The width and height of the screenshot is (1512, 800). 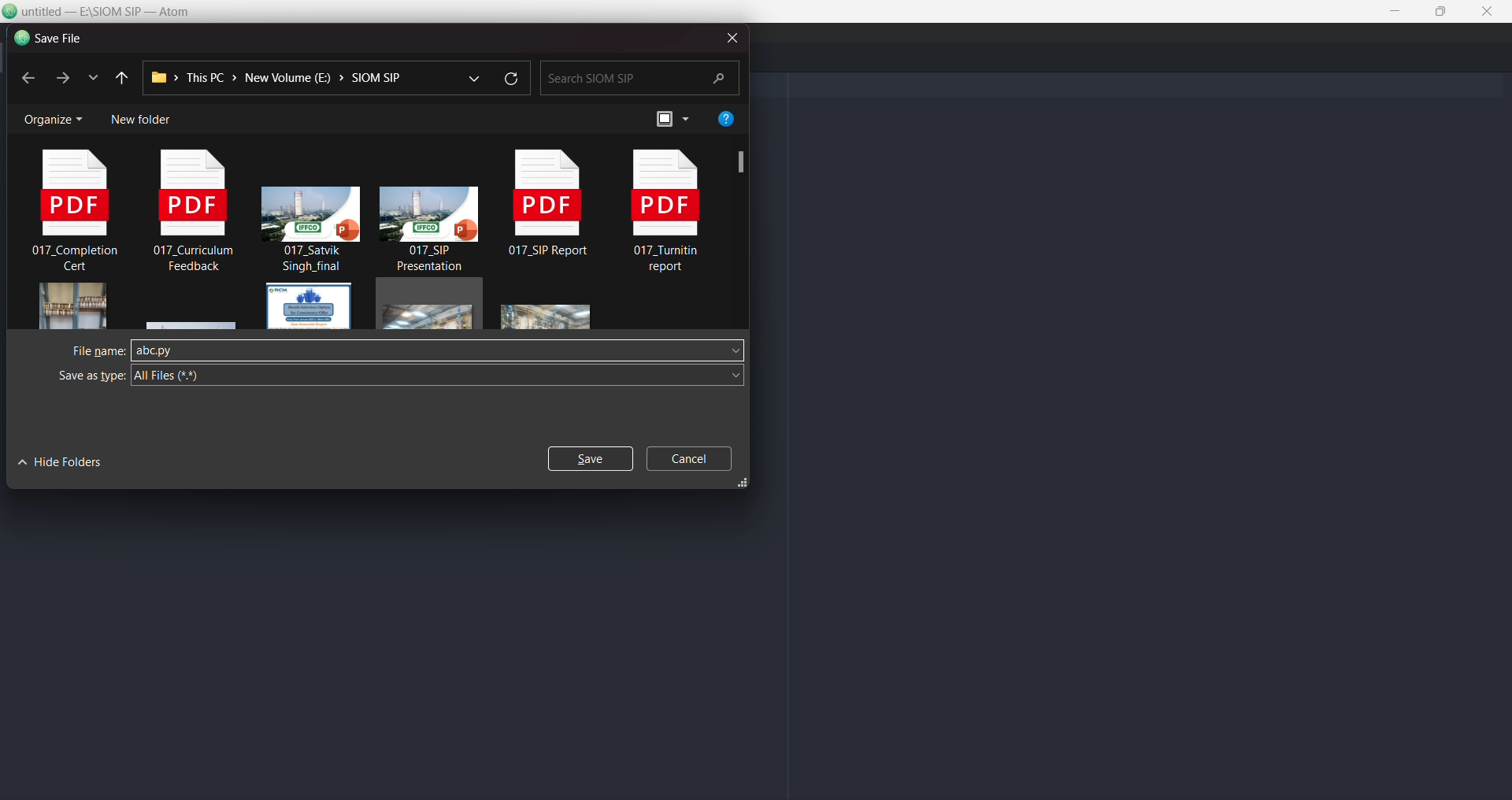 I want to click on file, so click(x=426, y=306).